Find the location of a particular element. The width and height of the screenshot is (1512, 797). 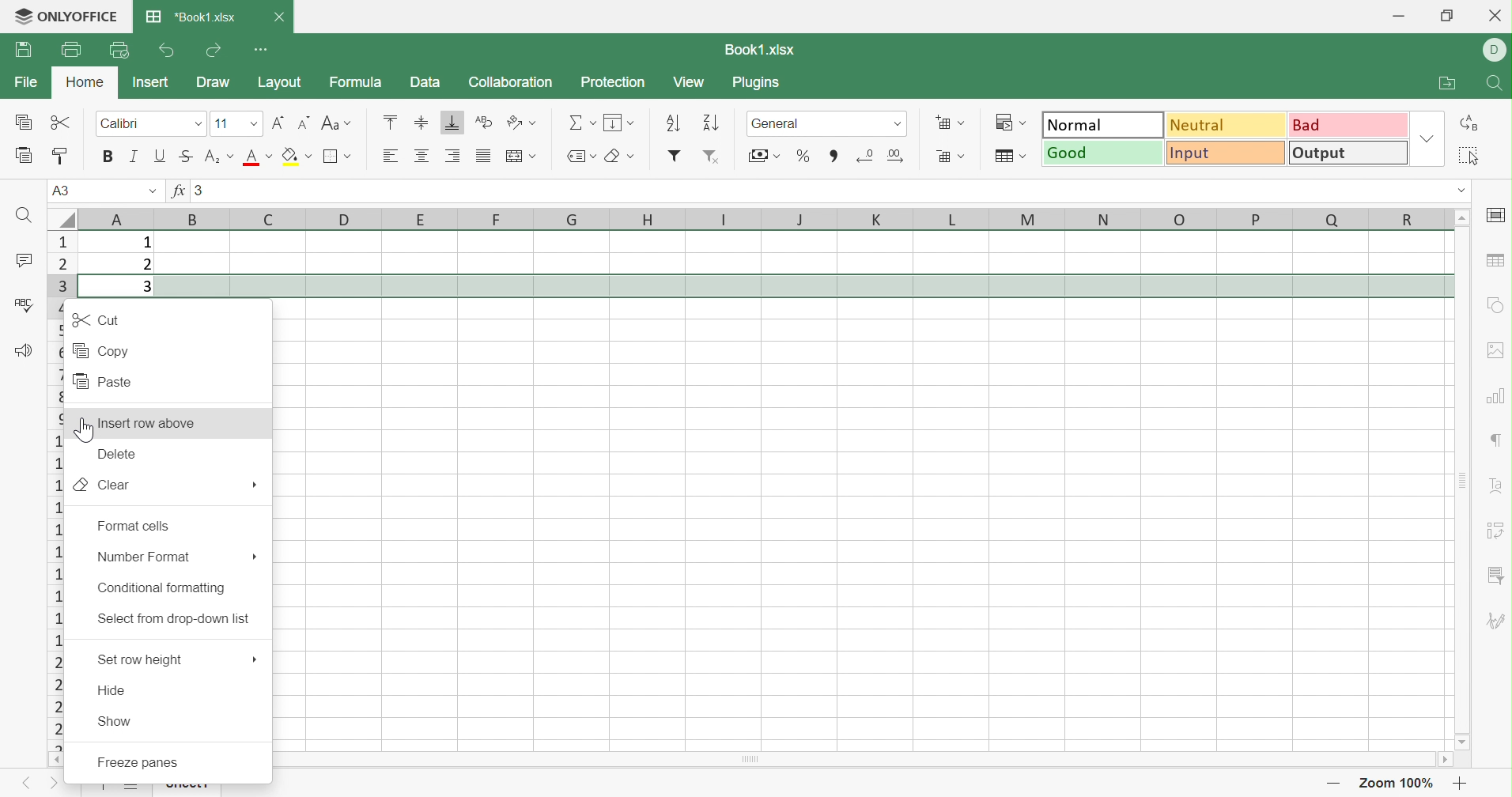

Scroll Down is located at coordinates (1462, 743).